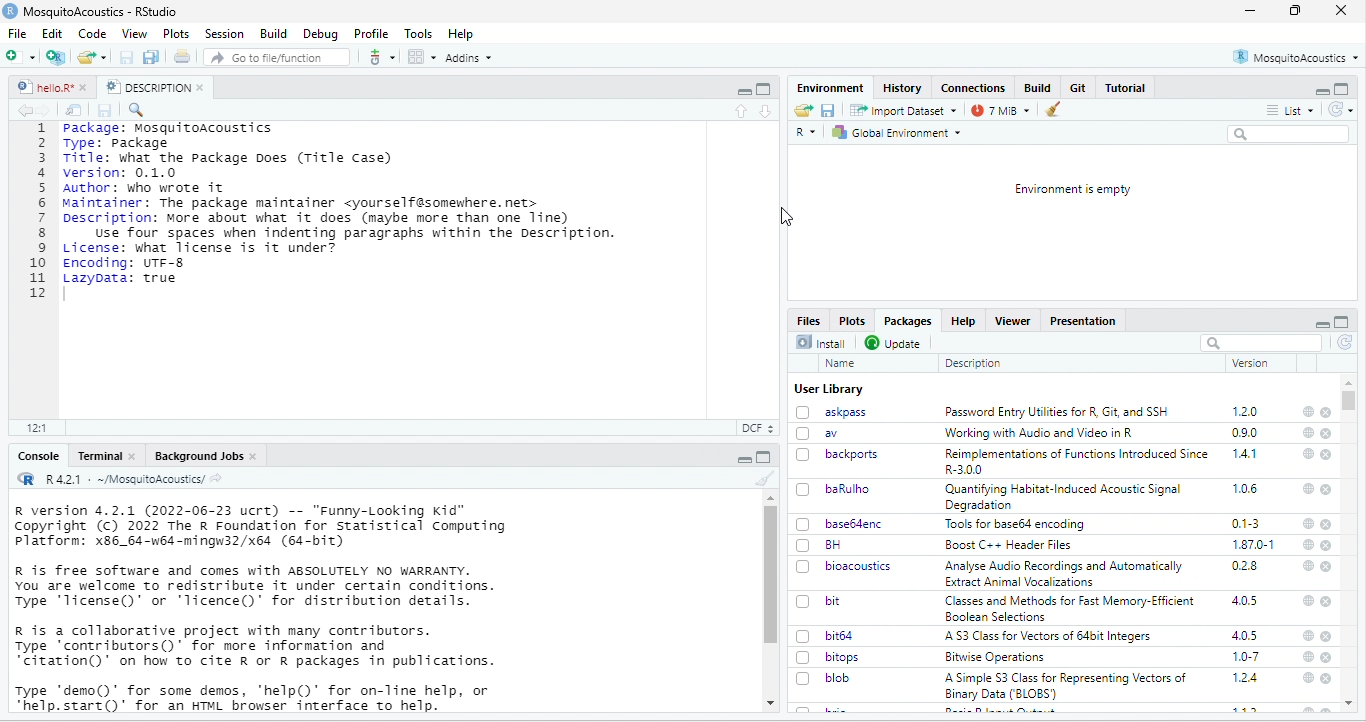  Describe the element at coordinates (1057, 109) in the screenshot. I see `Clear workspace` at that location.